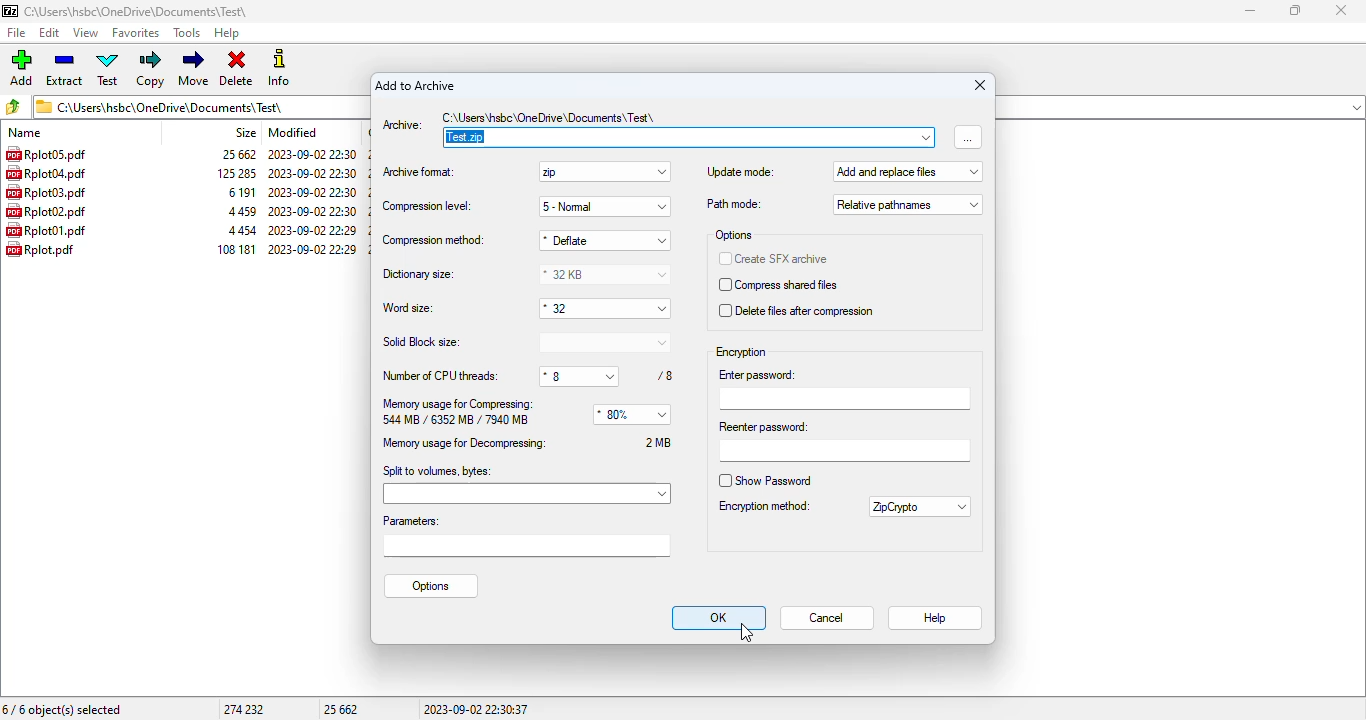 This screenshot has width=1366, height=720. What do you see at coordinates (237, 248) in the screenshot?
I see `size` at bounding box center [237, 248].